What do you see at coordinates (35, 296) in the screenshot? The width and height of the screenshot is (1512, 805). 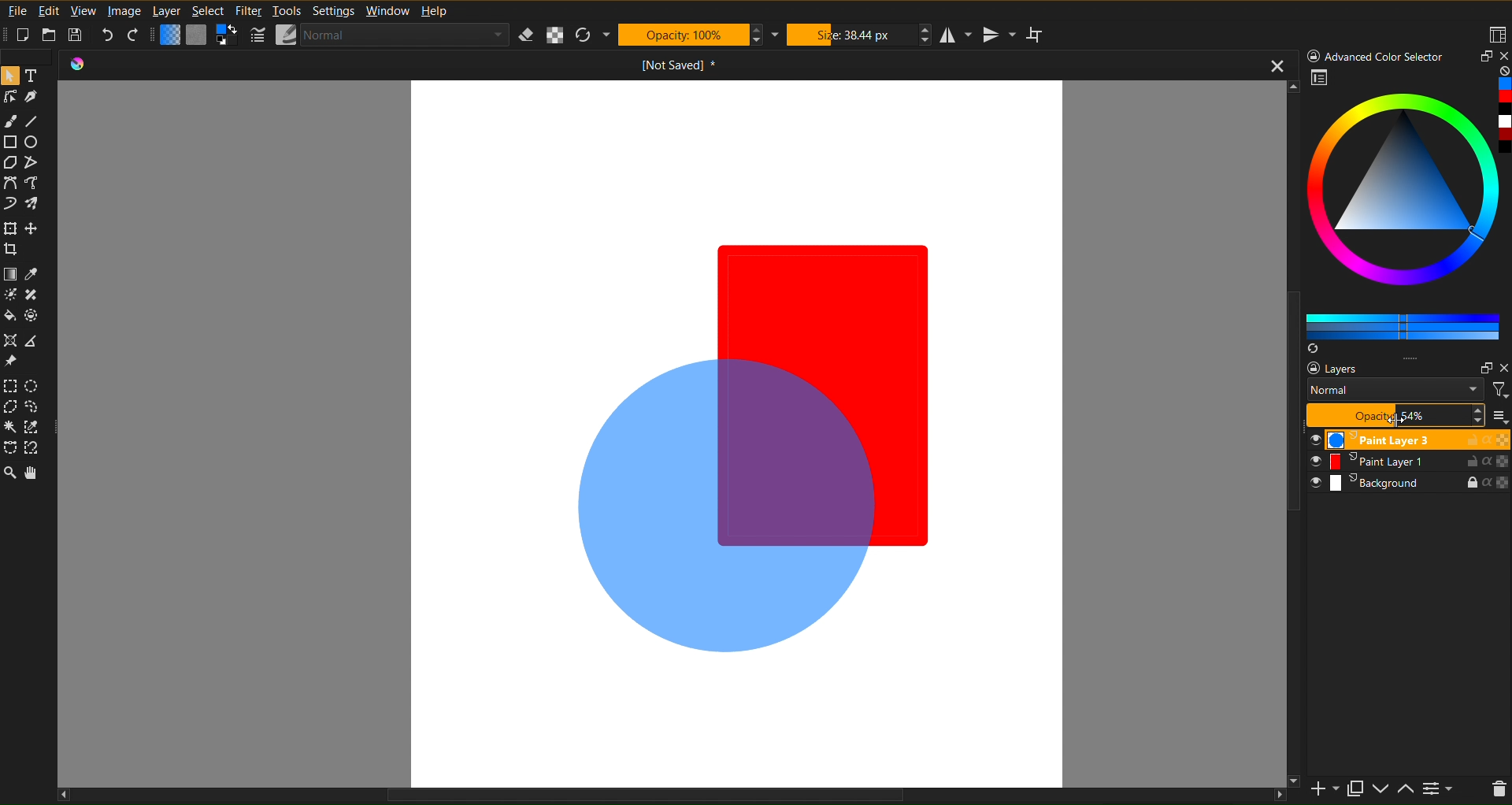 I see `Color Tool` at bounding box center [35, 296].